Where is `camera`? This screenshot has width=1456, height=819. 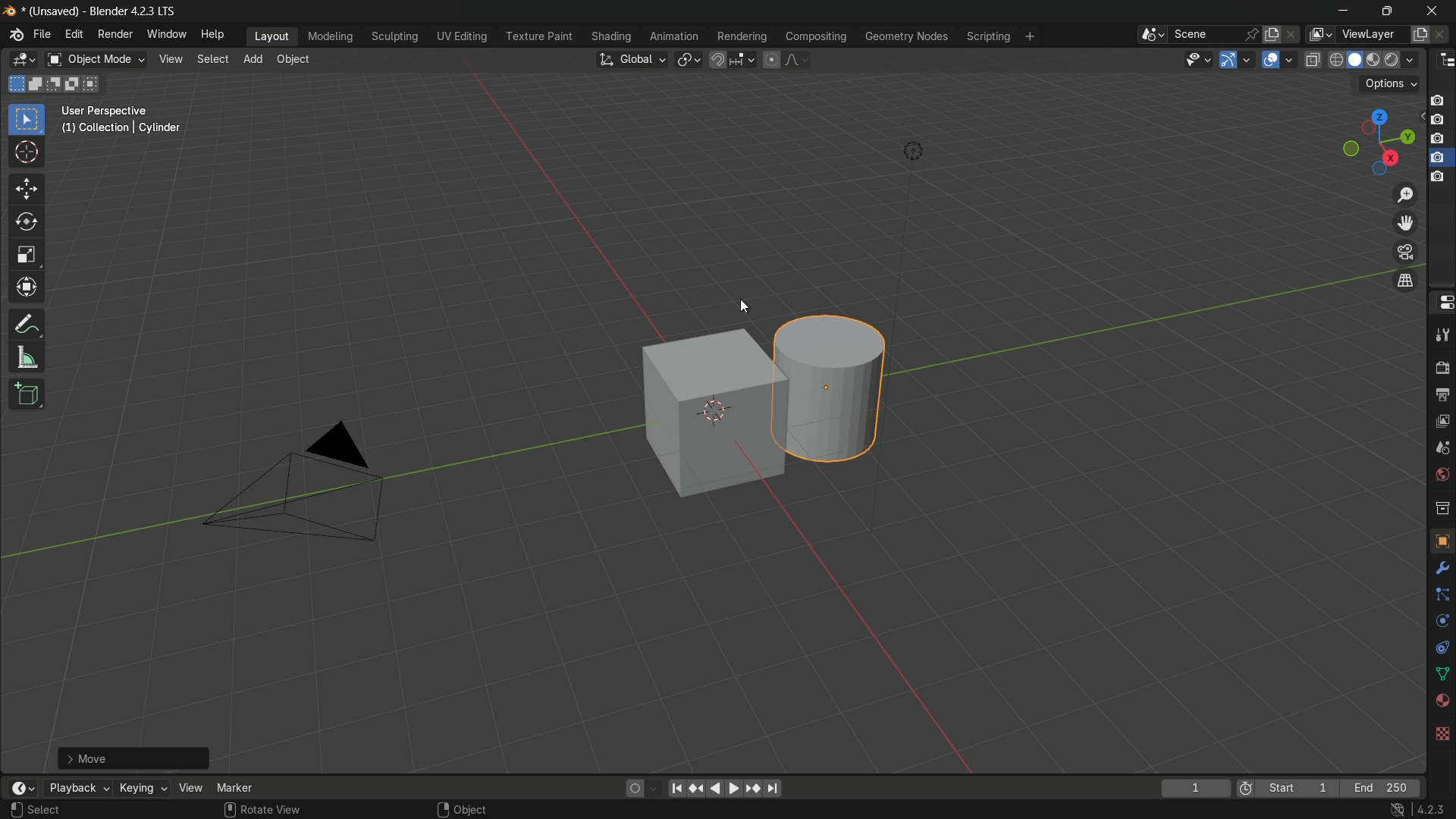
camera is located at coordinates (292, 480).